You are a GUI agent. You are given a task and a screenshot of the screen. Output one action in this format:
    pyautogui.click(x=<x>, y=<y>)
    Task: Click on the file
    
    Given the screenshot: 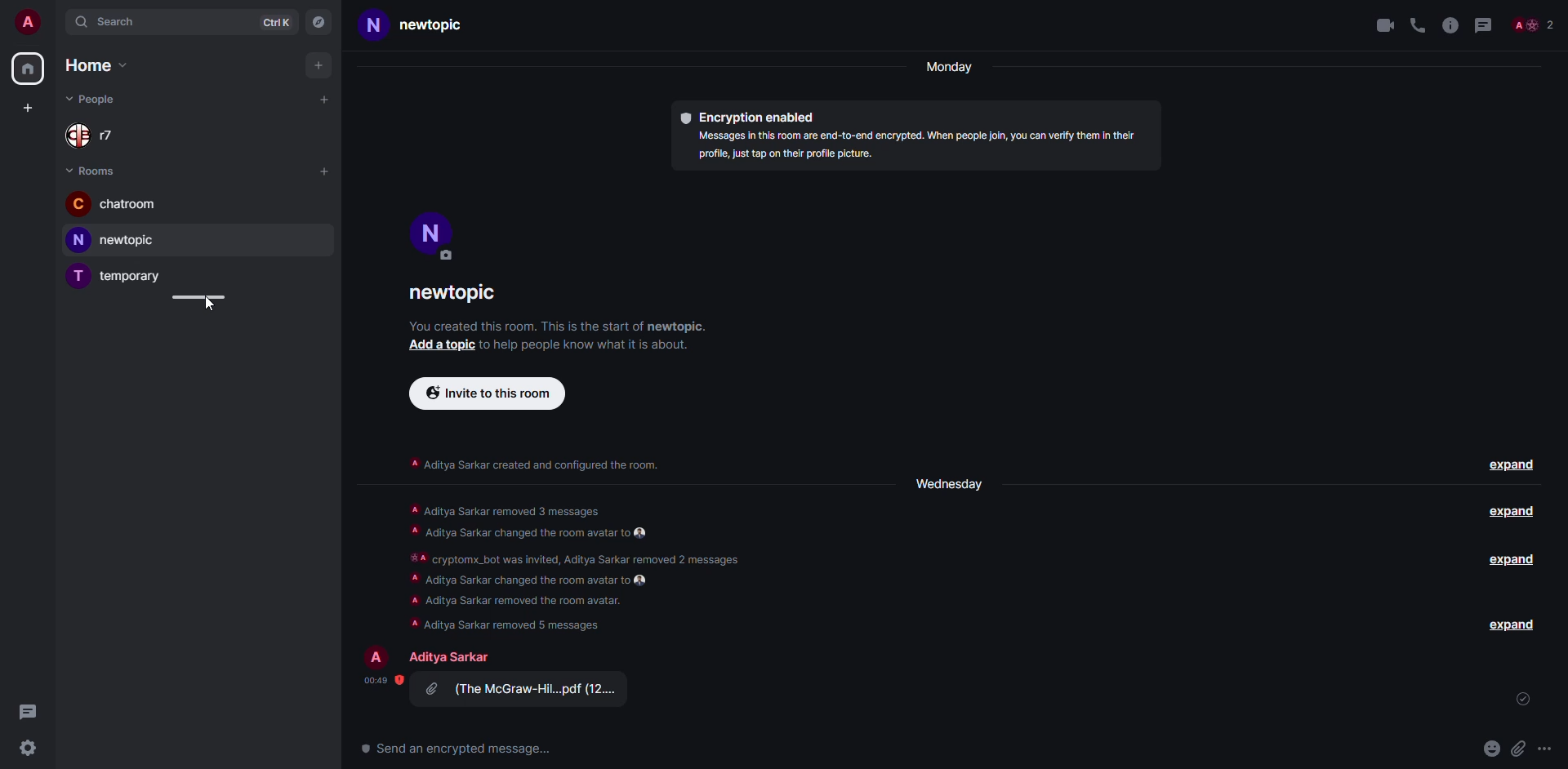 What is the action you would take?
    pyautogui.click(x=522, y=691)
    